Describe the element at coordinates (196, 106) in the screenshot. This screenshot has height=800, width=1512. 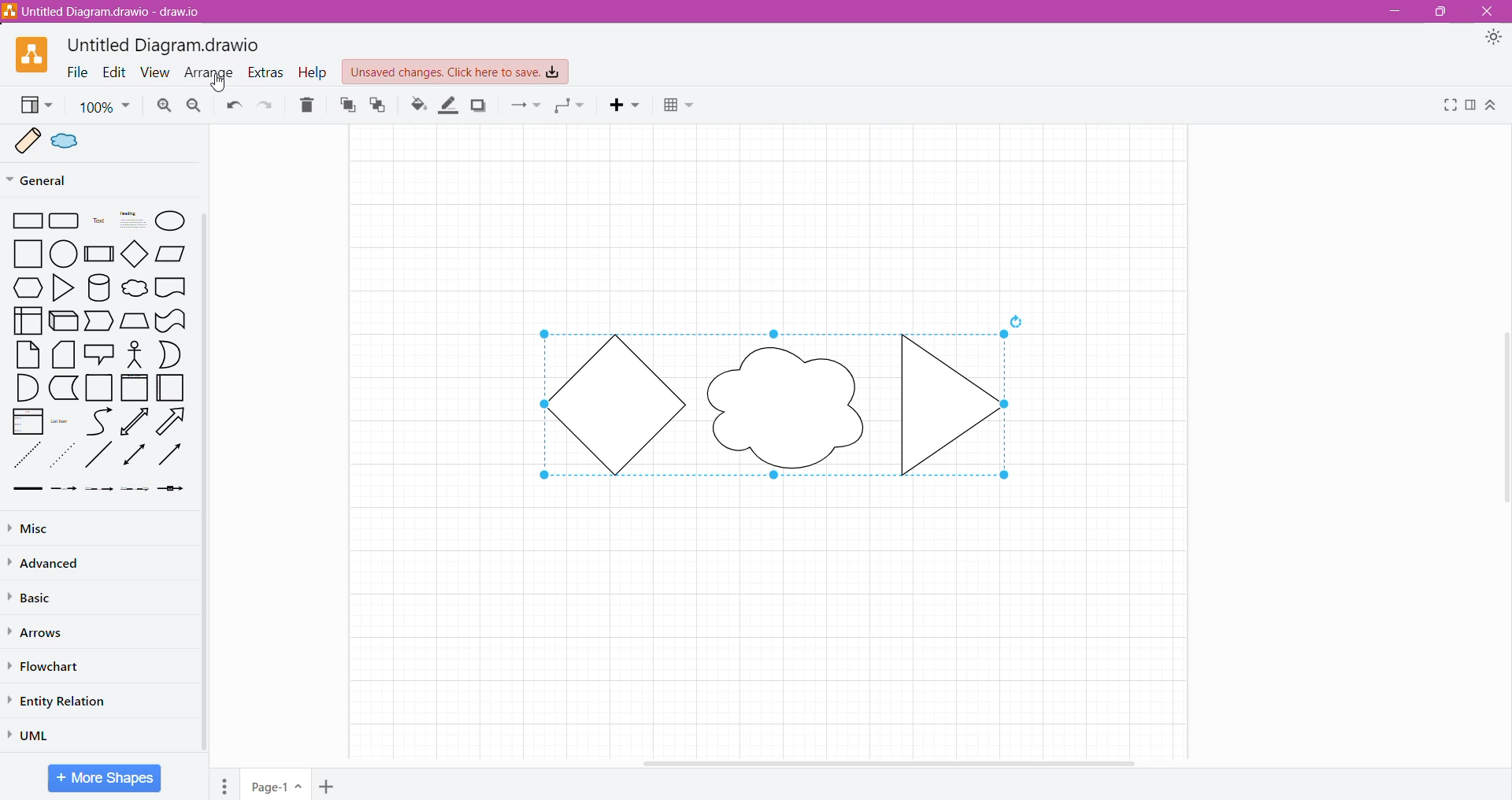
I see `Zoom Out` at that location.